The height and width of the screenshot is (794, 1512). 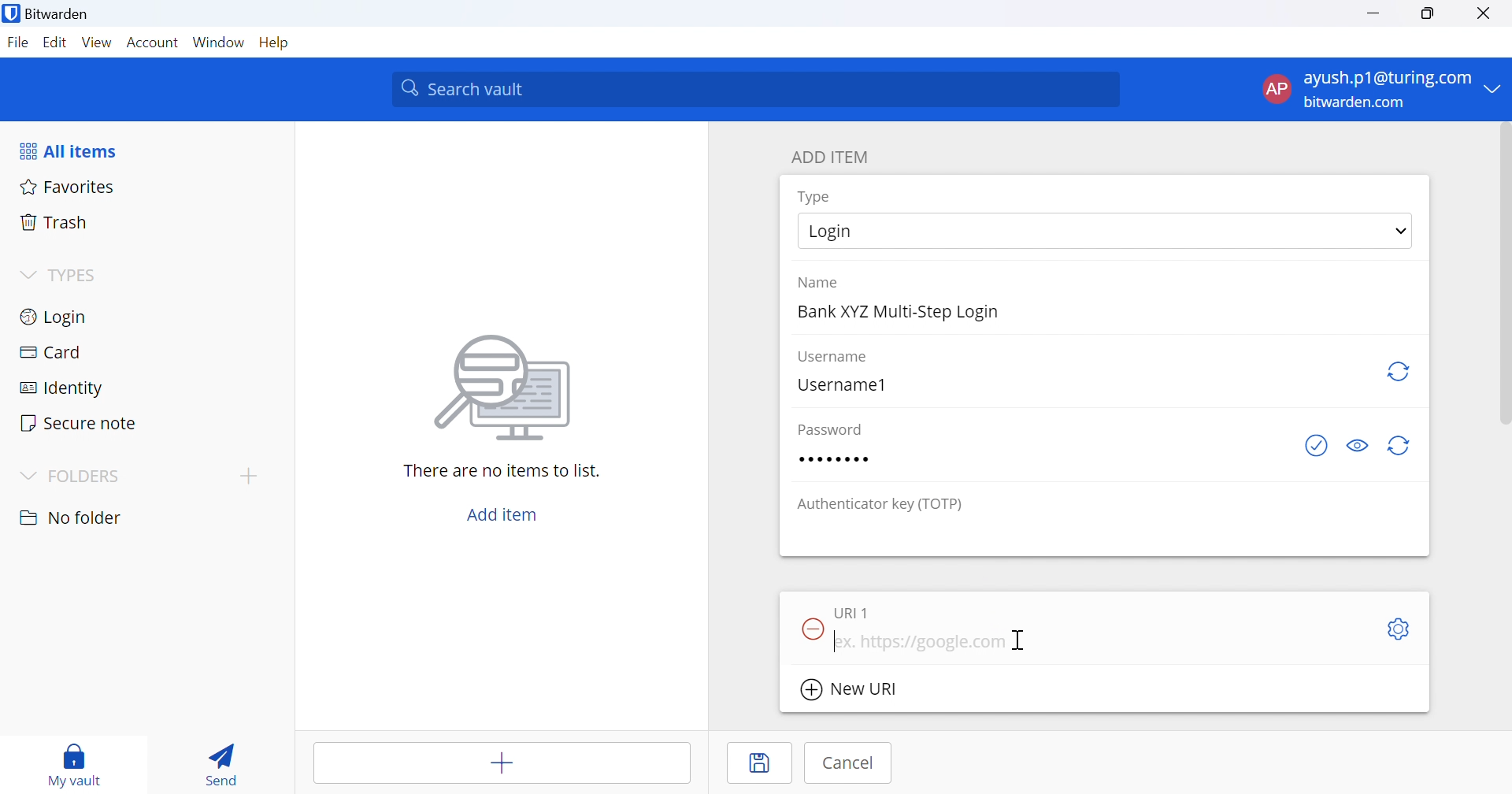 What do you see at coordinates (847, 763) in the screenshot?
I see `Cancel` at bounding box center [847, 763].